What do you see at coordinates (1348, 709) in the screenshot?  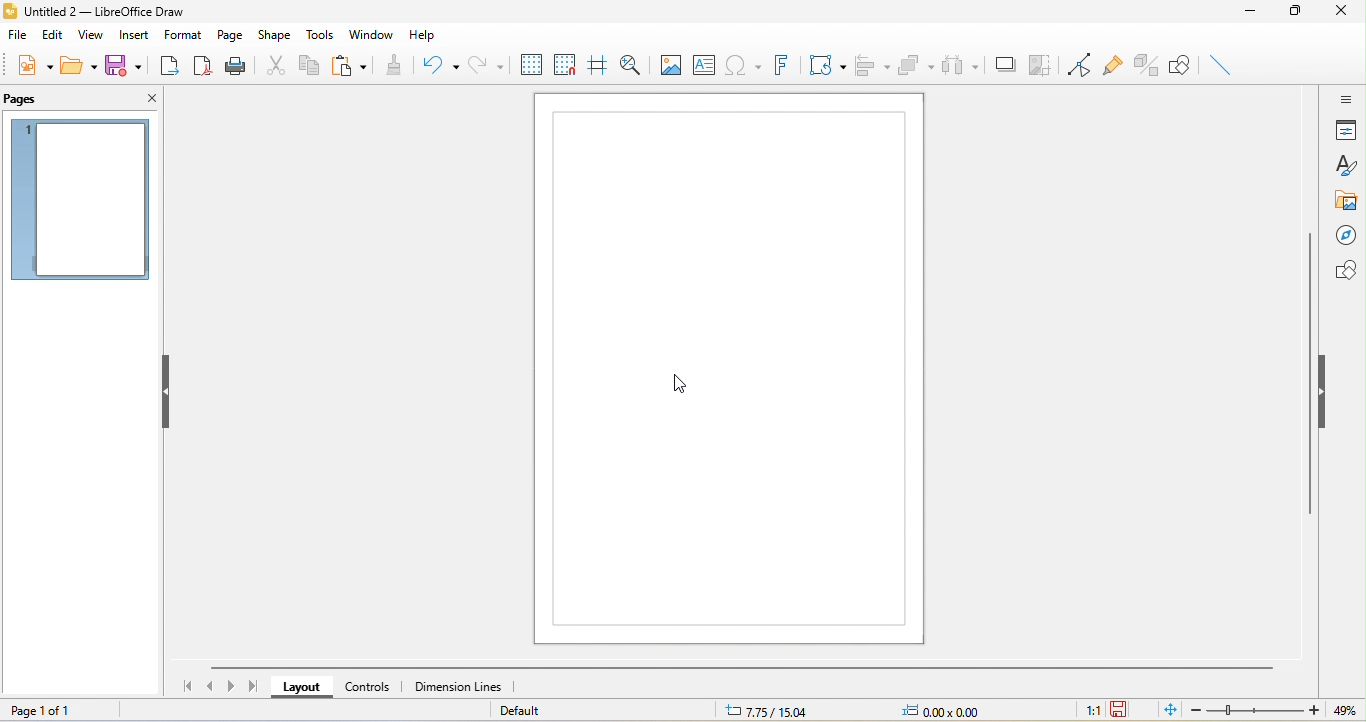 I see `49%` at bounding box center [1348, 709].